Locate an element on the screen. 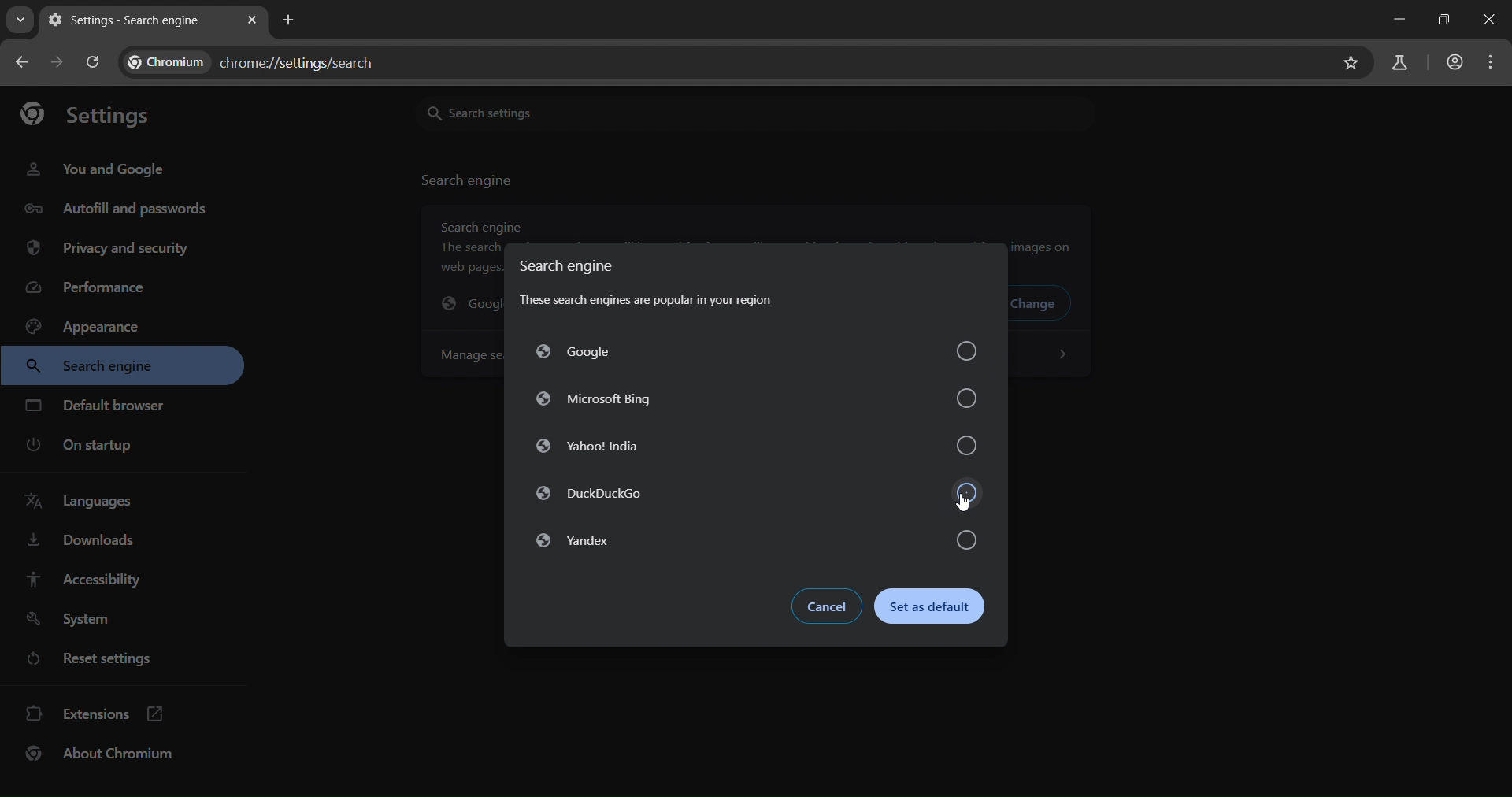  go forward 1 page is located at coordinates (57, 61).